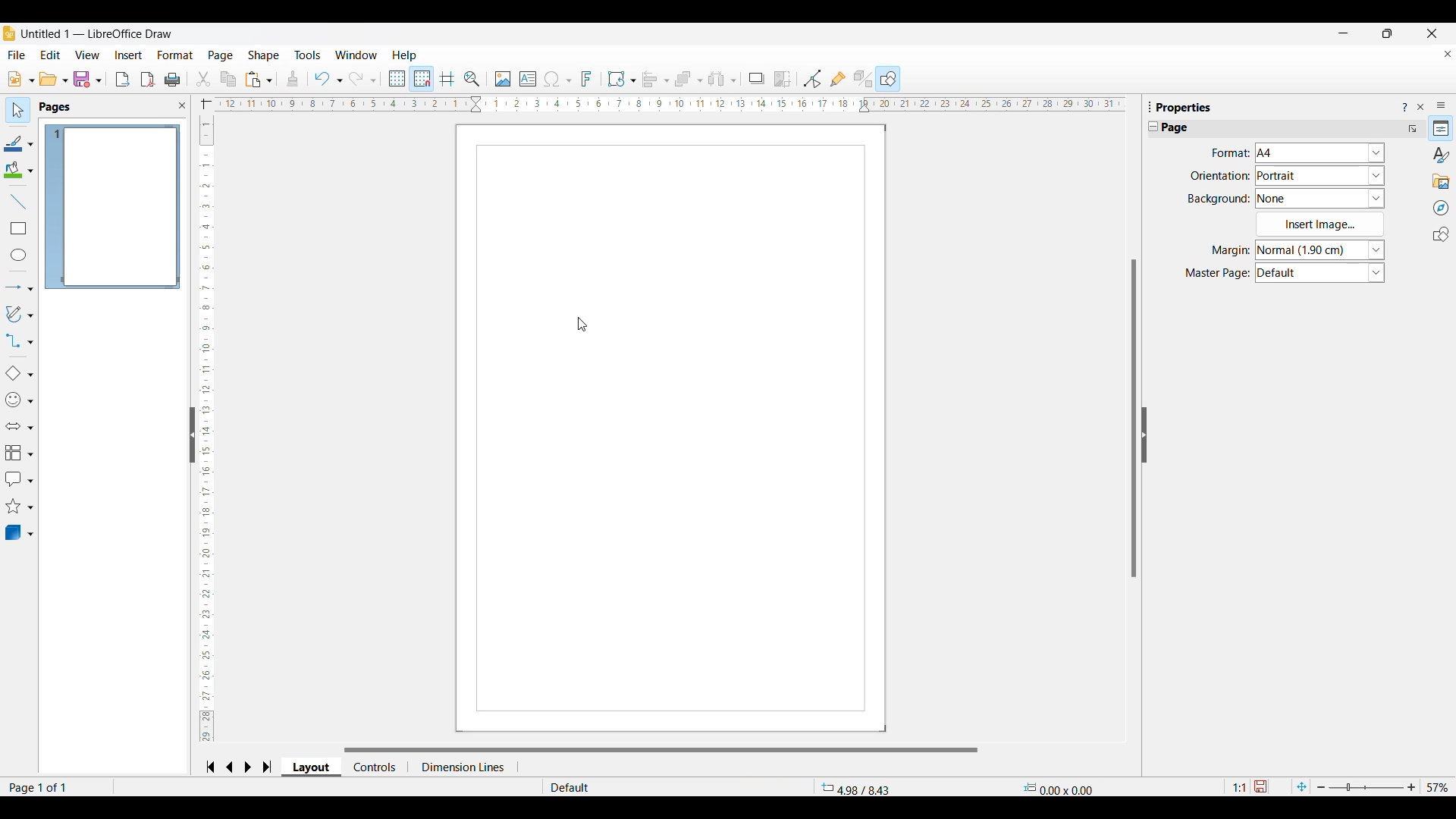 The width and height of the screenshot is (1456, 819). What do you see at coordinates (1320, 224) in the screenshot?
I see `Insert image` at bounding box center [1320, 224].